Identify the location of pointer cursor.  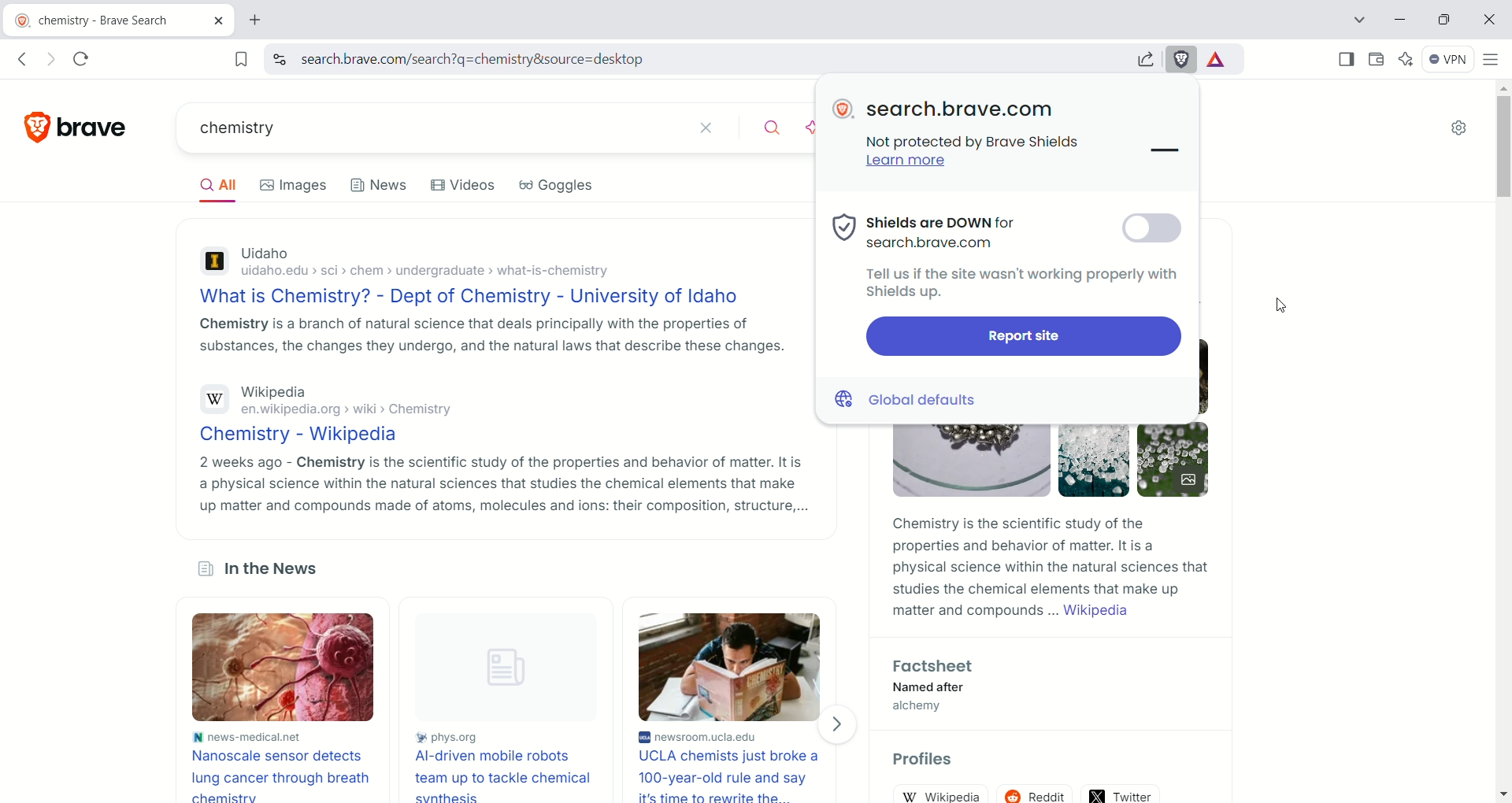
(1284, 310).